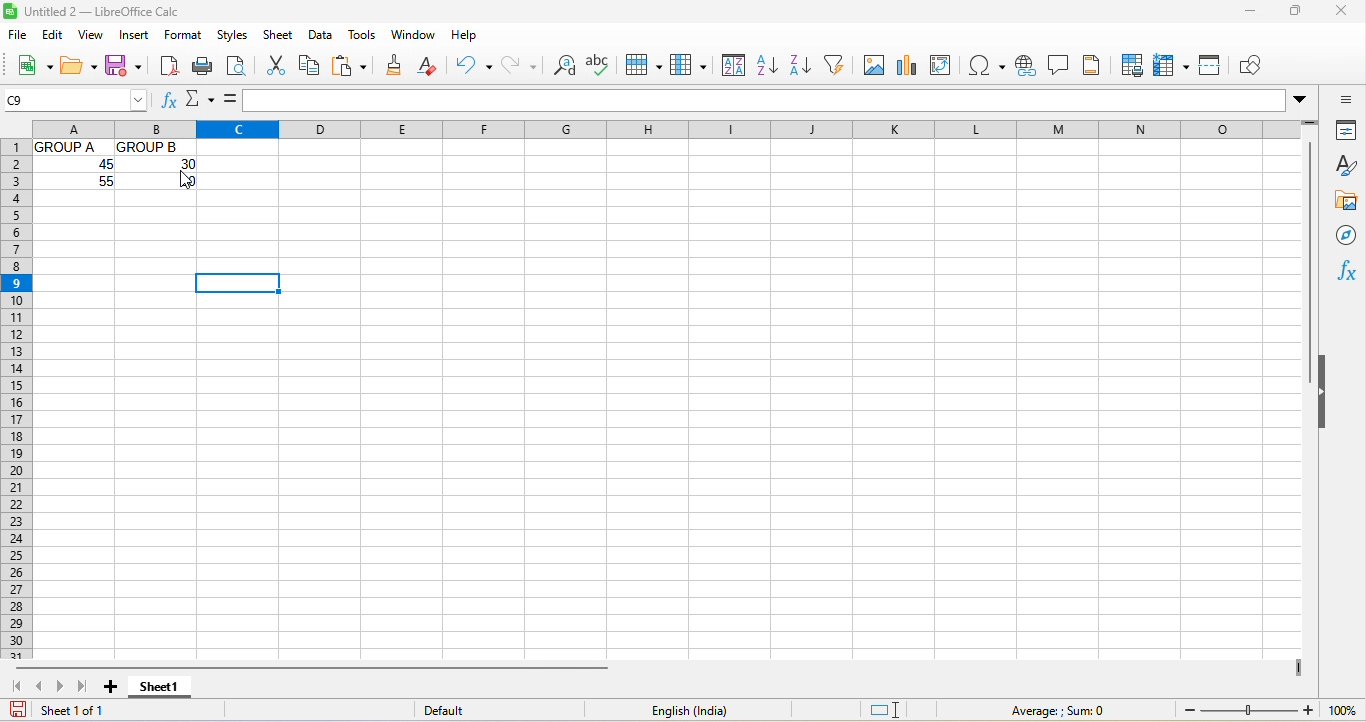  What do you see at coordinates (602, 64) in the screenshot?
I see `spelling` at bounding box center [602, 64].